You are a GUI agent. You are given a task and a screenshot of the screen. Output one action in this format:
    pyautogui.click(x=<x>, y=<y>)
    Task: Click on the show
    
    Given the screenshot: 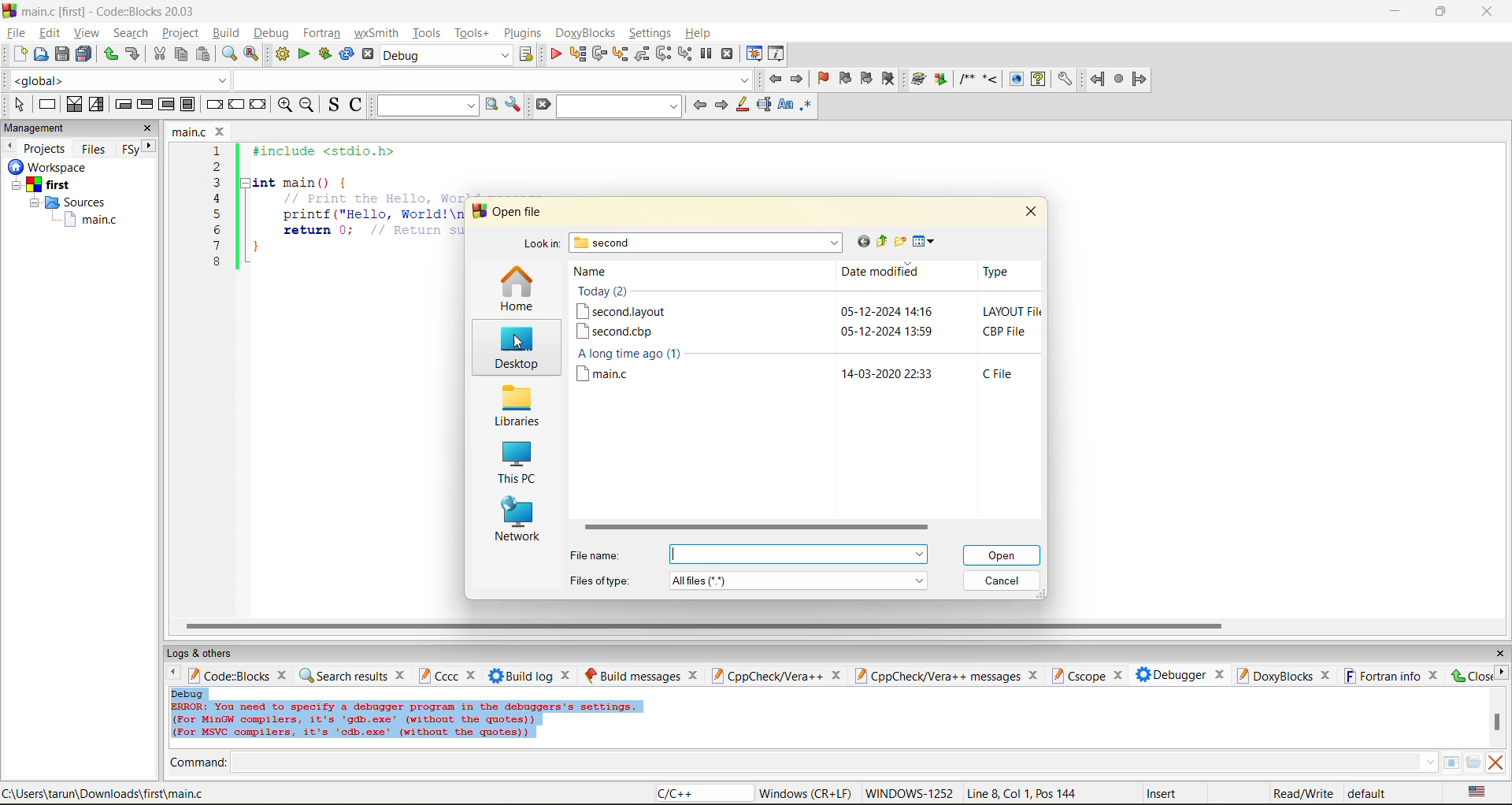 What is the action you would take?
    pyautogui.click(x=1014, y=79)
    